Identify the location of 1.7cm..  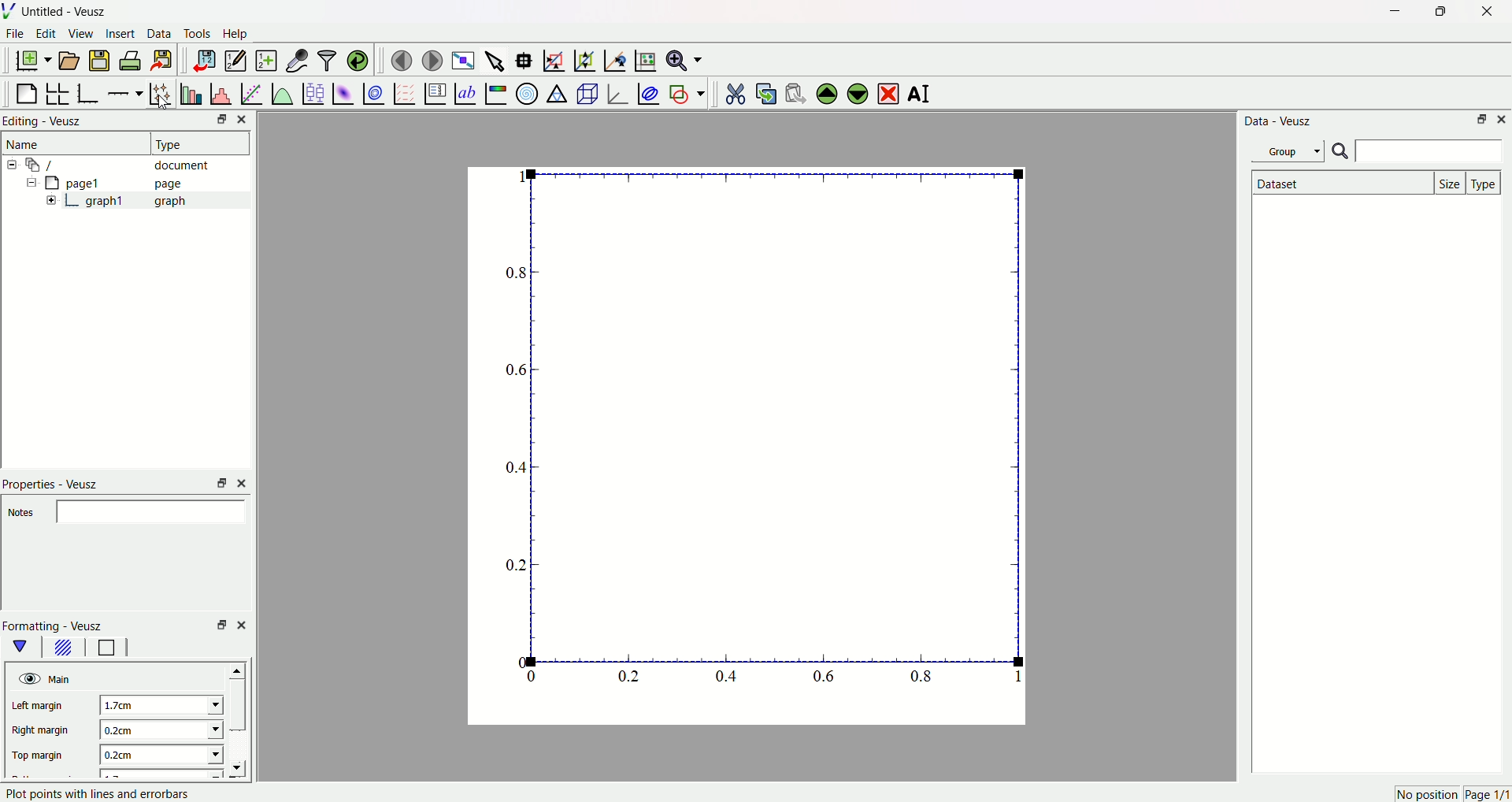
(156, 704).